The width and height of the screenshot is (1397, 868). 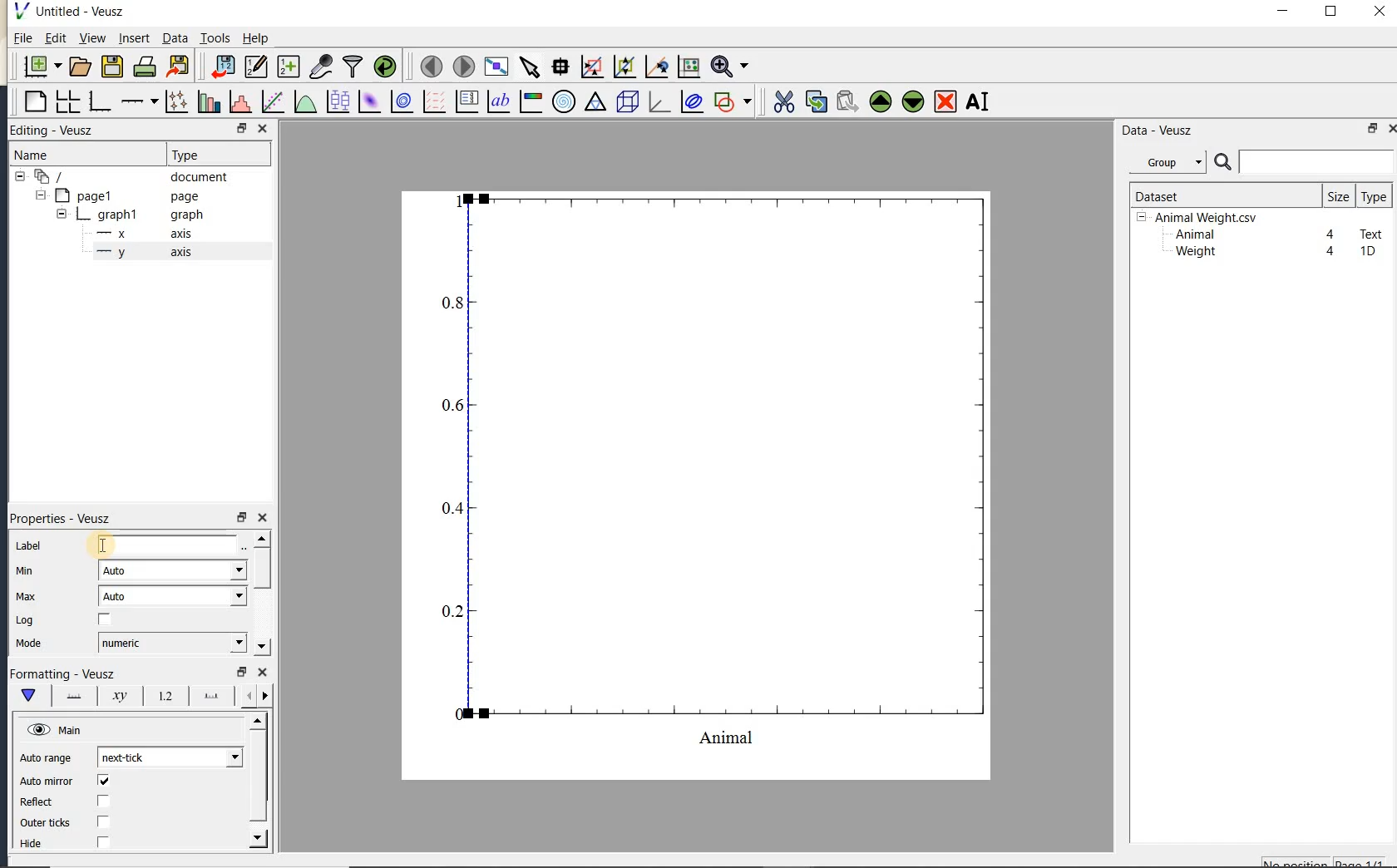 What do you see at coordinates (272, 101) in the screenshot?
I see `fit a function to data` at bounding box center [272, 101].